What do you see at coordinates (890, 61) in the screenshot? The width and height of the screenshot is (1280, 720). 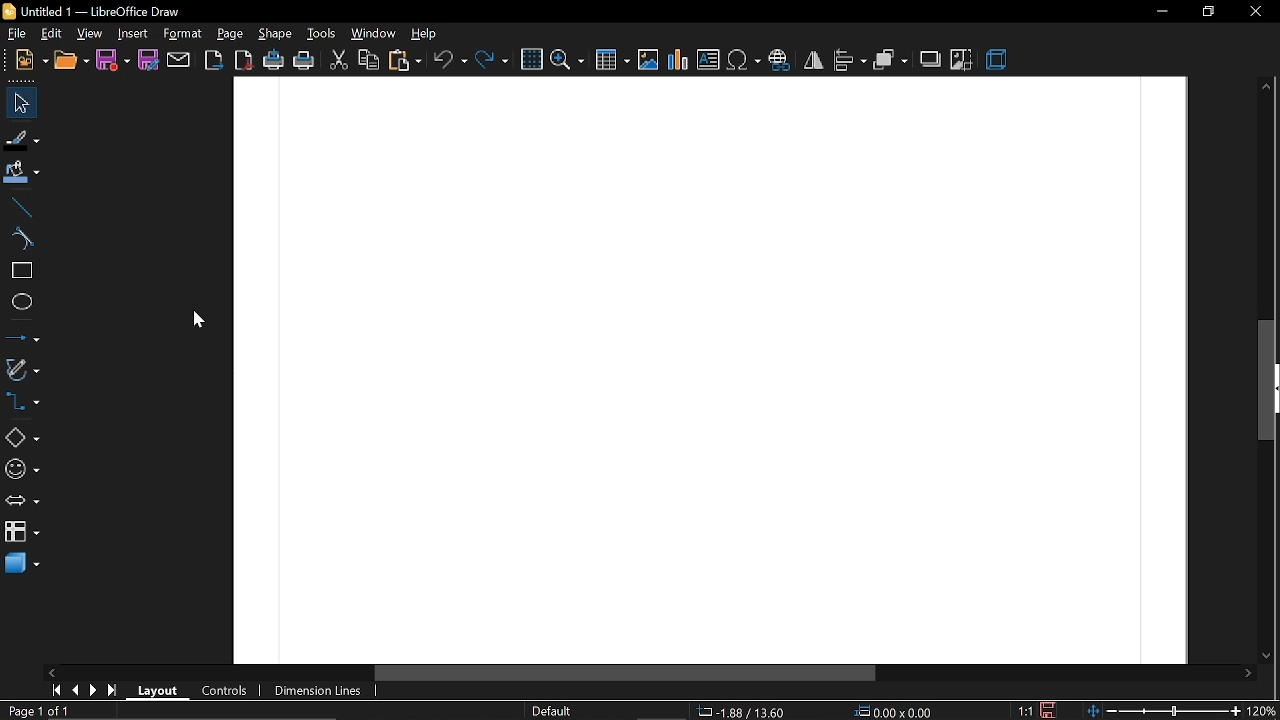 I see `arrange` at bounding box center [890, 61].